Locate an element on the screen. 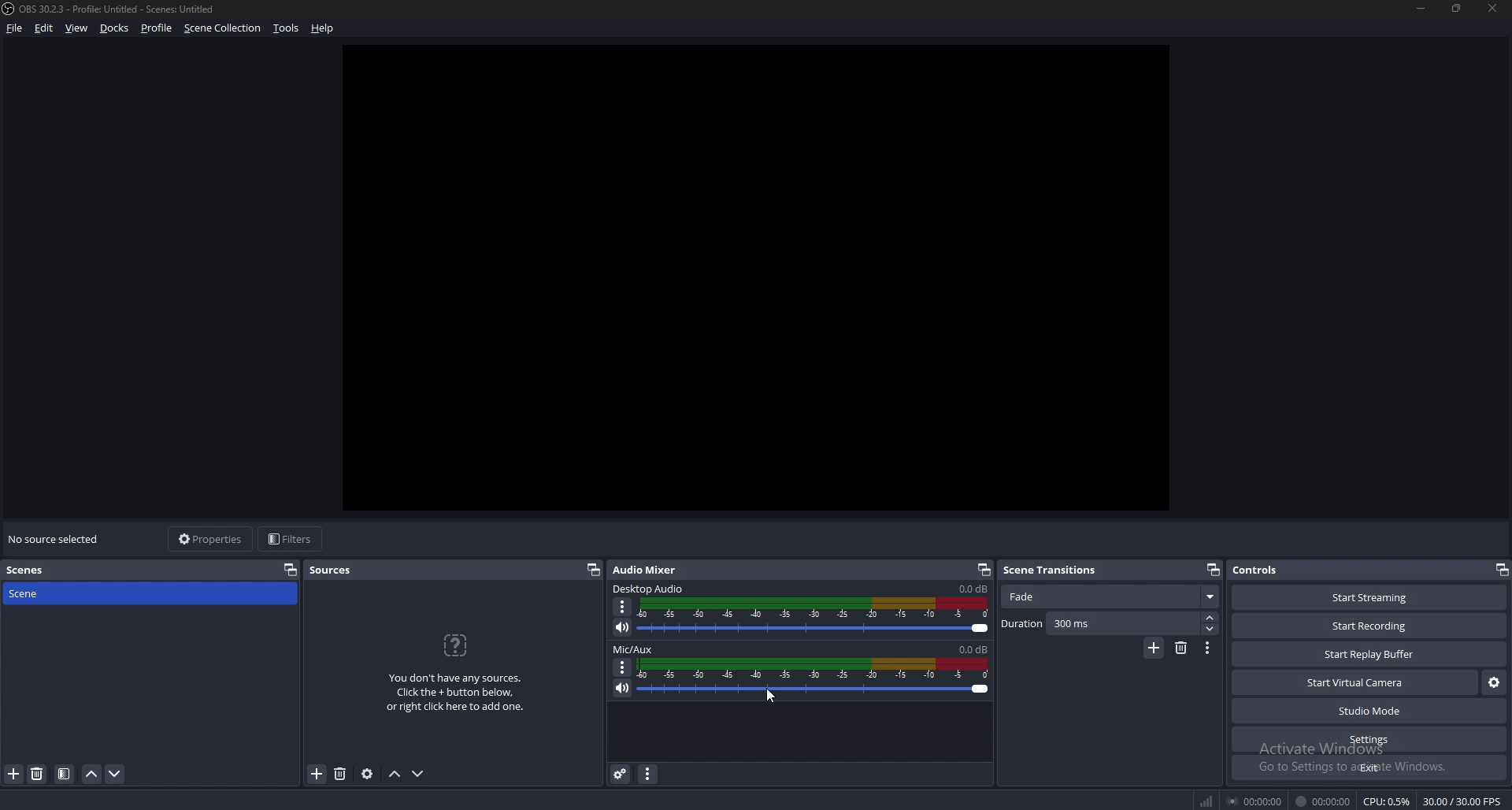  duration is located at coordinates (1102, 624).